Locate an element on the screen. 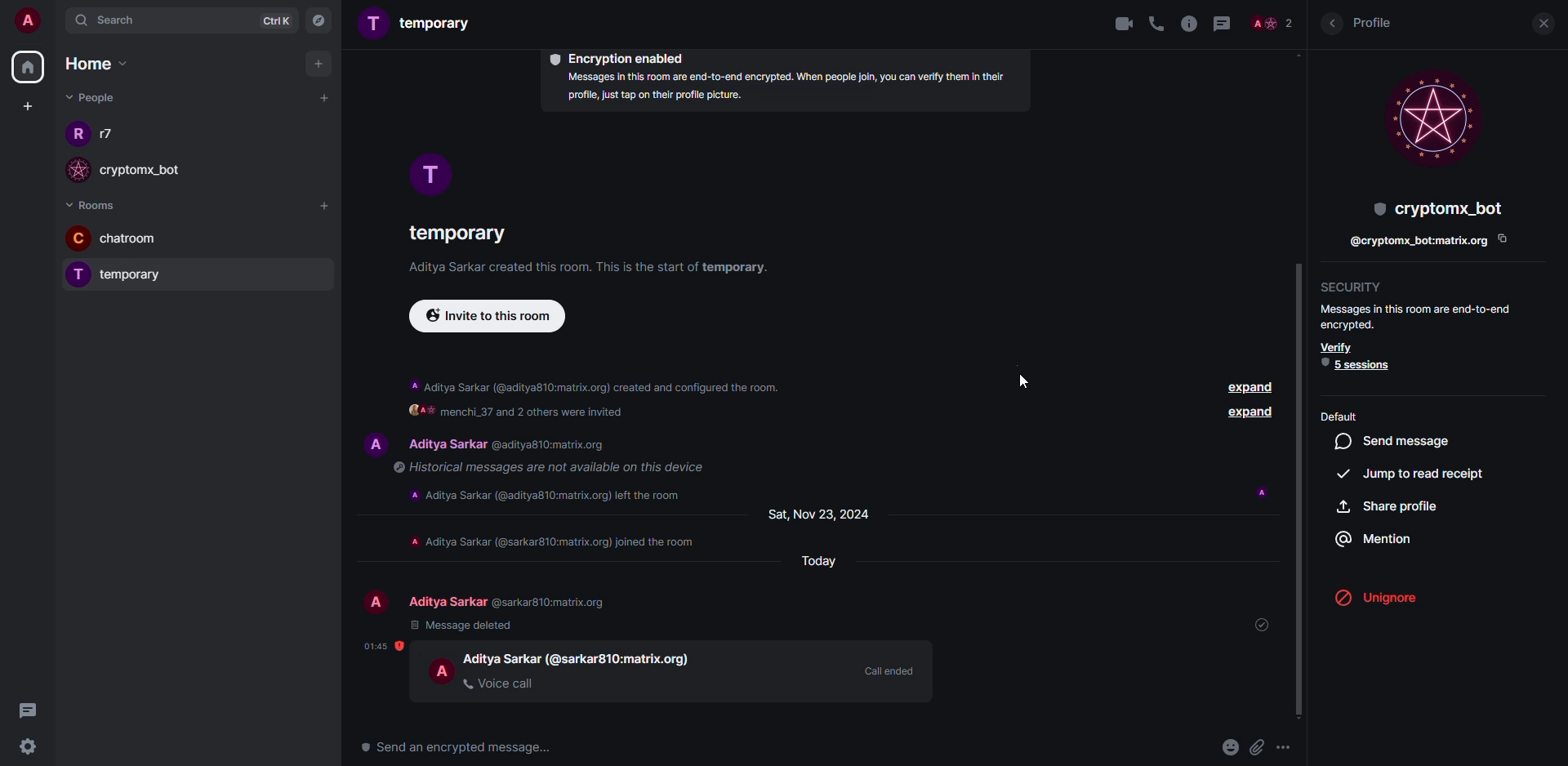 Image resolution: width=1568 pixels, height=766 pixels. profile is located at coordinates (75, 274).